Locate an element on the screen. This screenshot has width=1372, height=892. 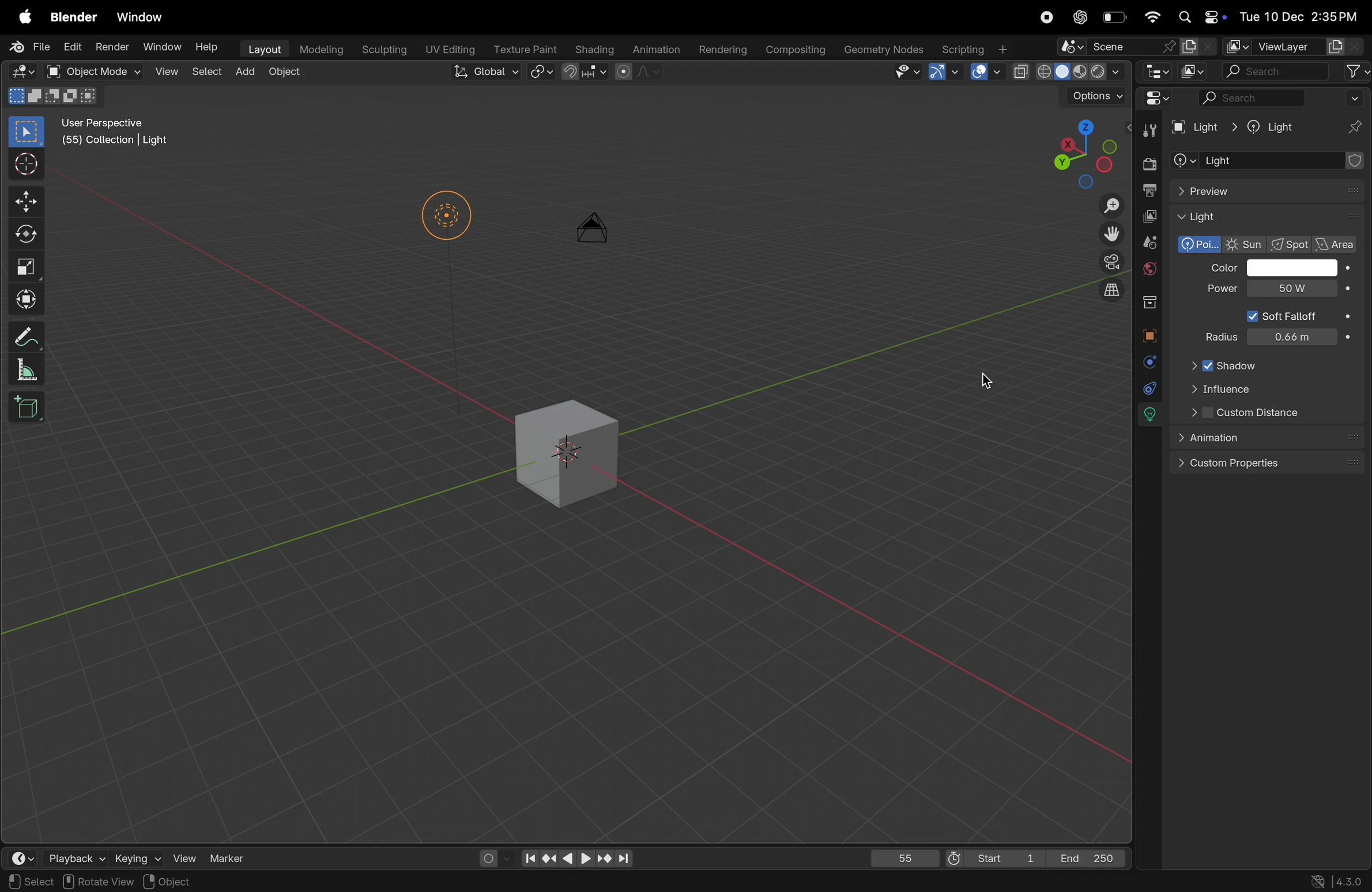
add is located at coordinates (247, 73).